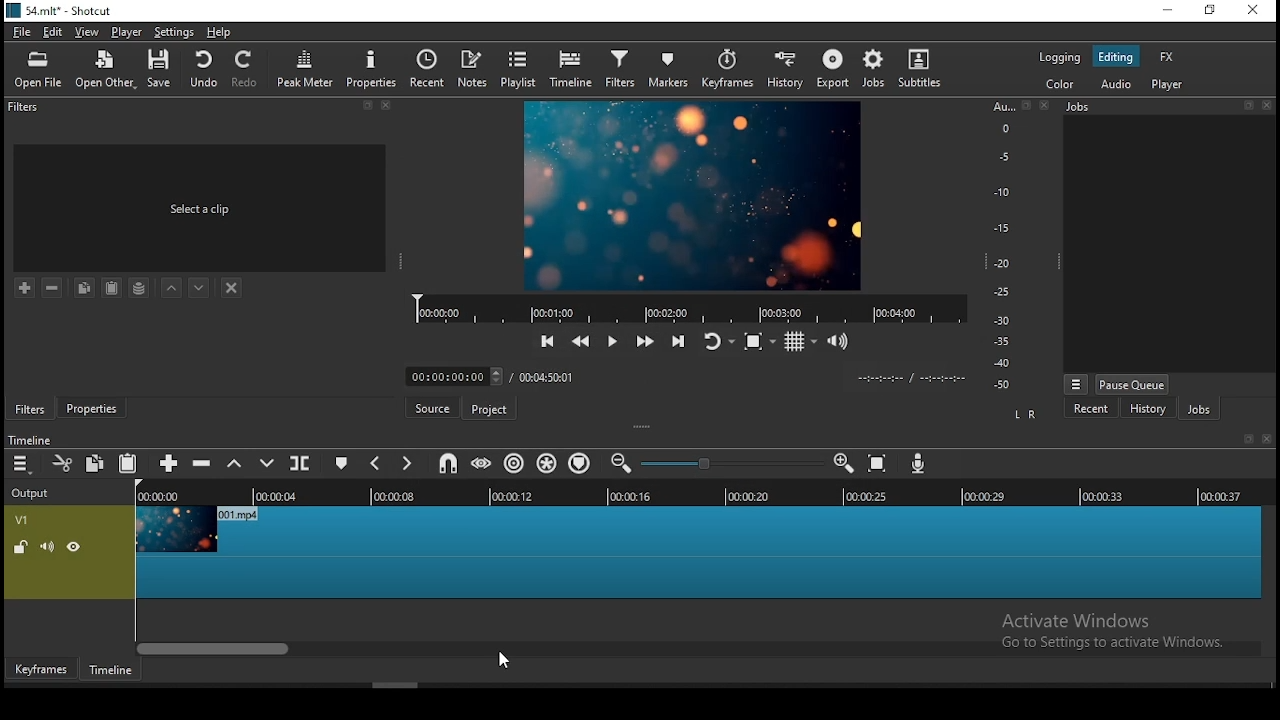 This screenshot has width=1280, height=720. I want to click on history, so click(781, 71).